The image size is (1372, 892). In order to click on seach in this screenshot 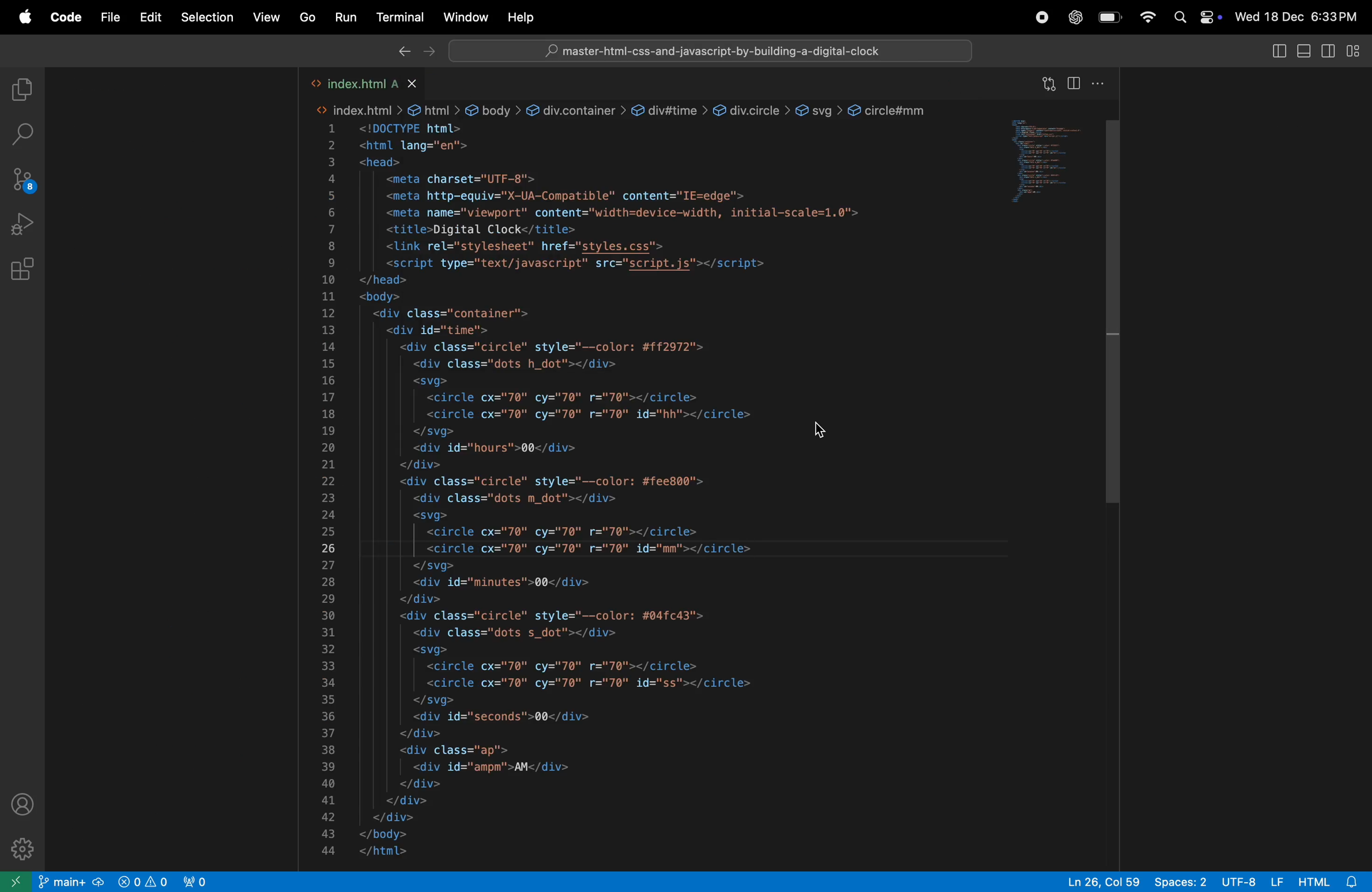, I will do `click(22, 134)`.